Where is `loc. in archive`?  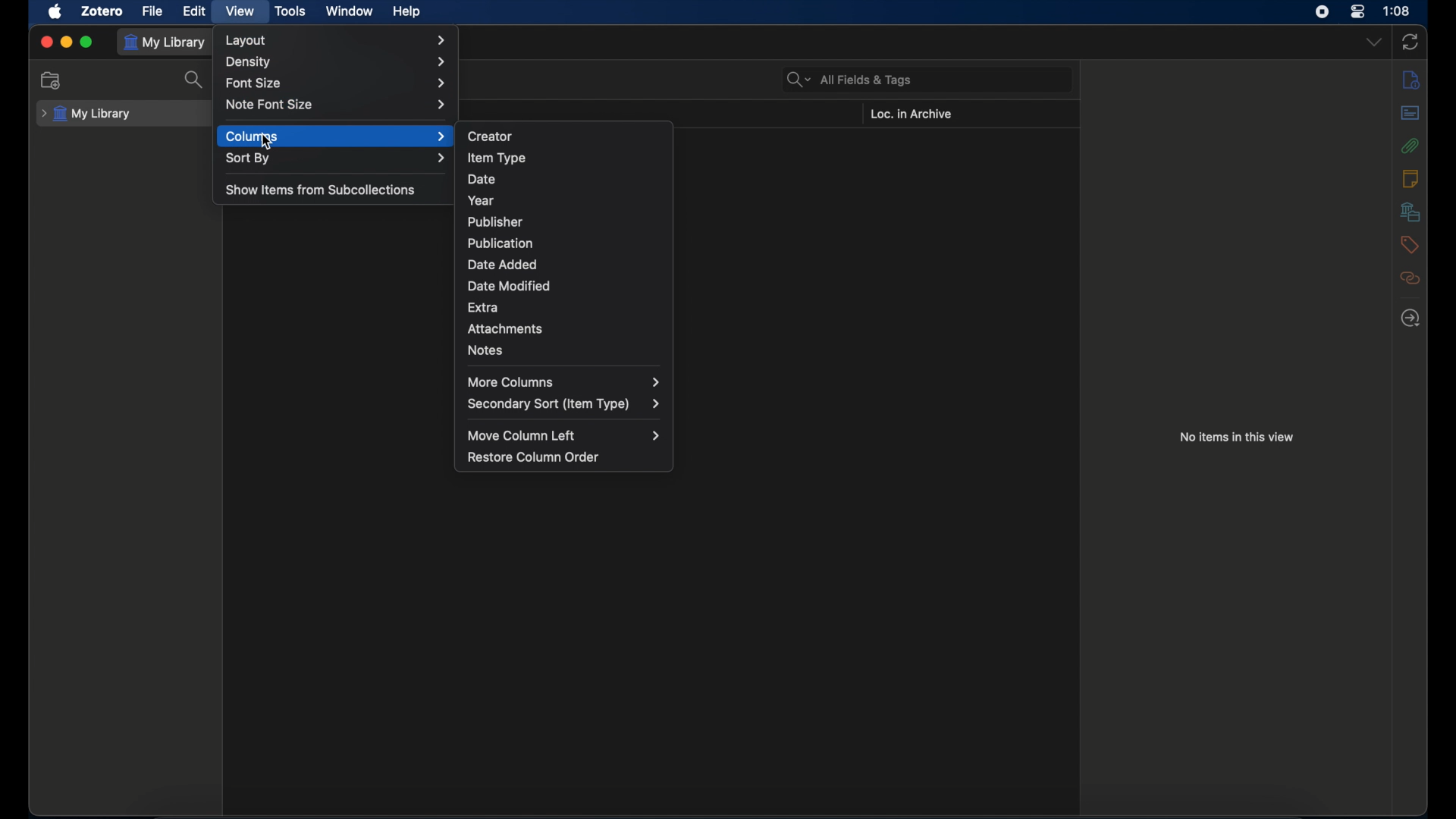
loc. in archive is located at coordinates (910, 115).